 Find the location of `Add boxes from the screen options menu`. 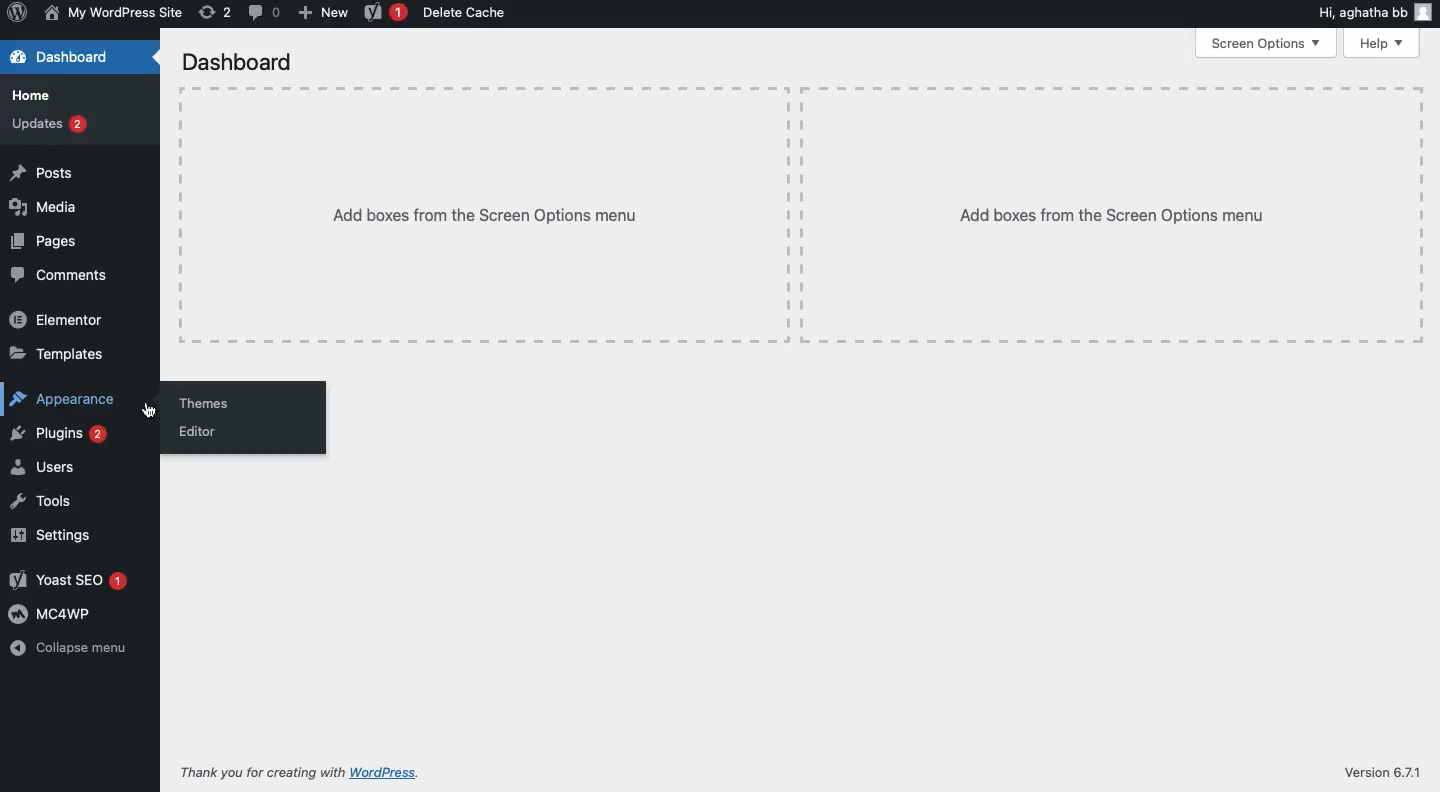

Add boxes from the screen options menu is located at coordinates (802, 215).